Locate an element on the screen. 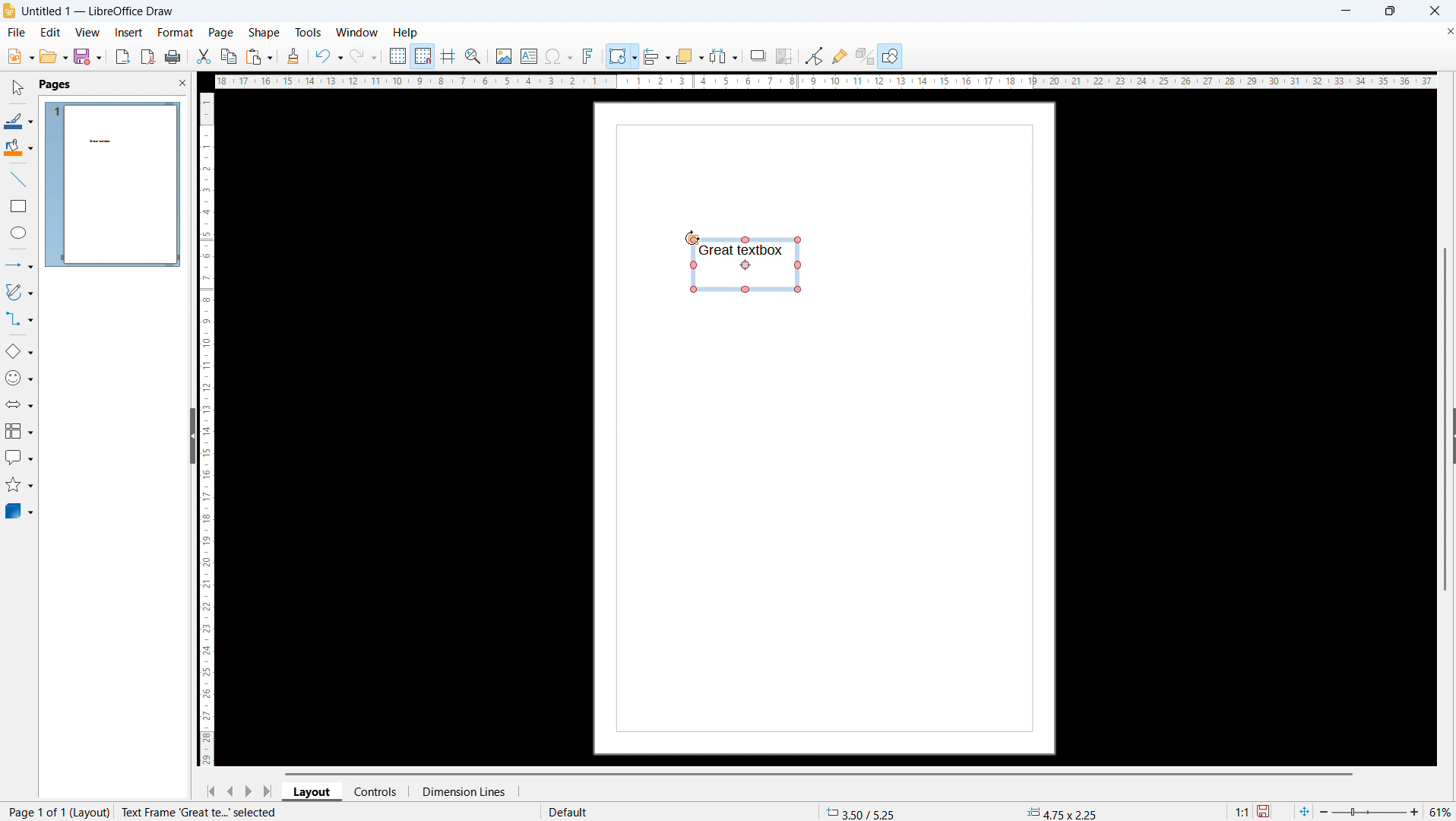  select at least 3 objects to distribute is located at coordinates (724, 55).